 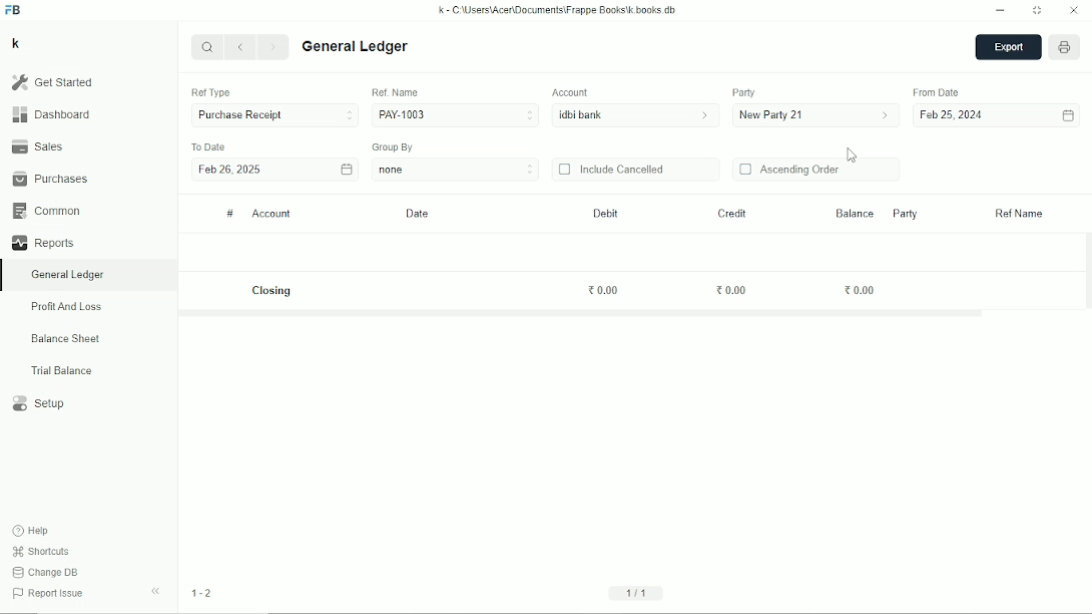 What do you see at coordinates (16, 43) in the screenshot?
I see `K` at bounding box center [16, 43].